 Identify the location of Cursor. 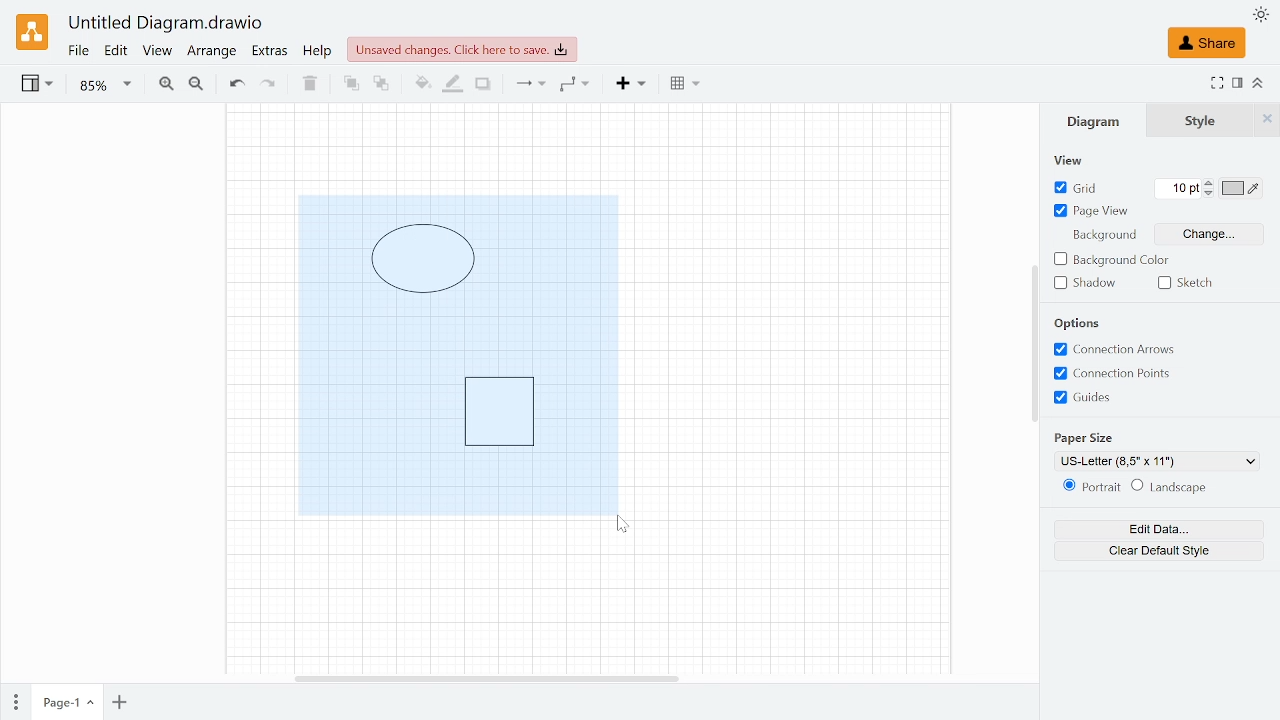
(626, 525).